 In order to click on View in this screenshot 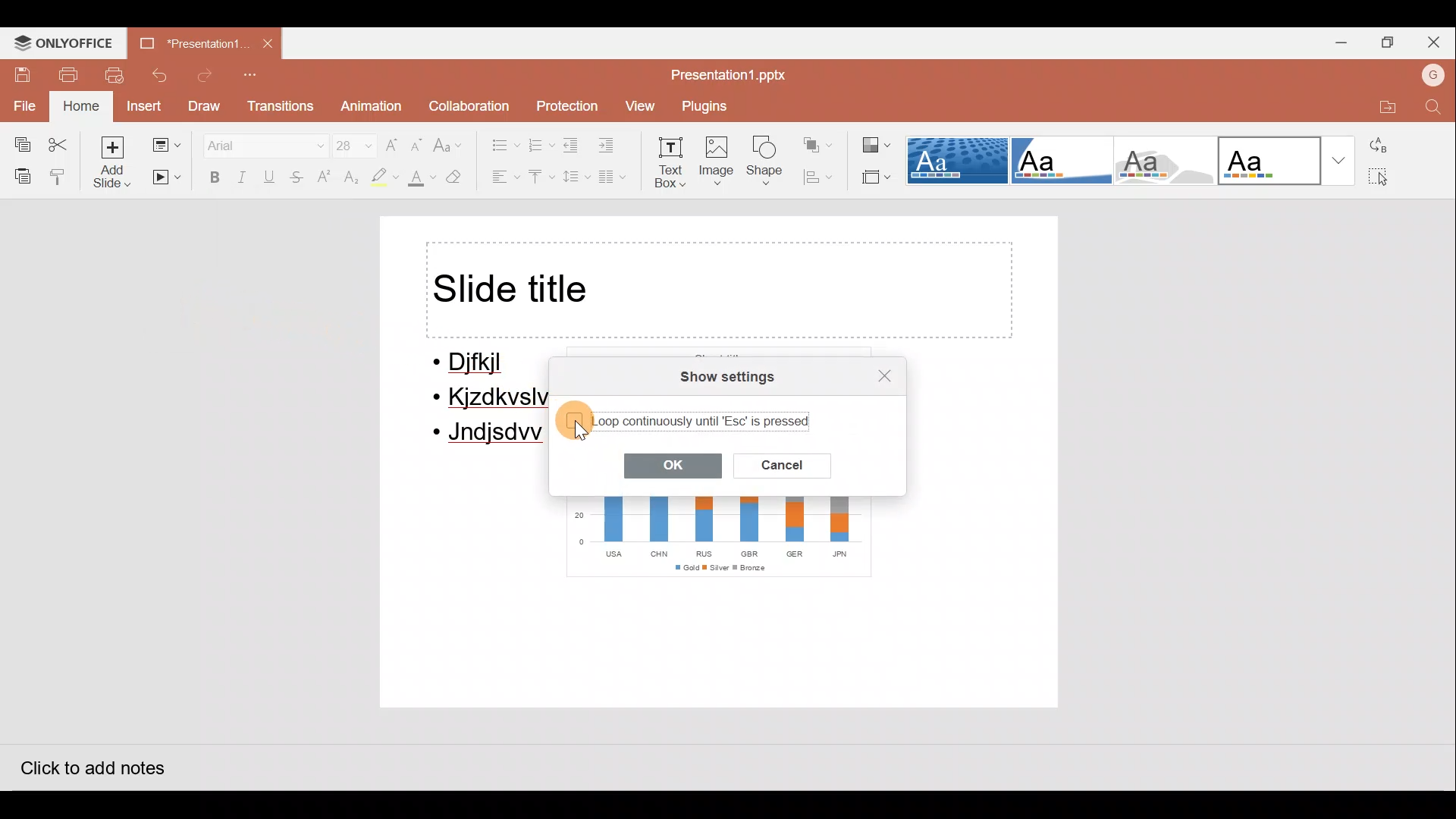, I will do `click(638, 104)`.